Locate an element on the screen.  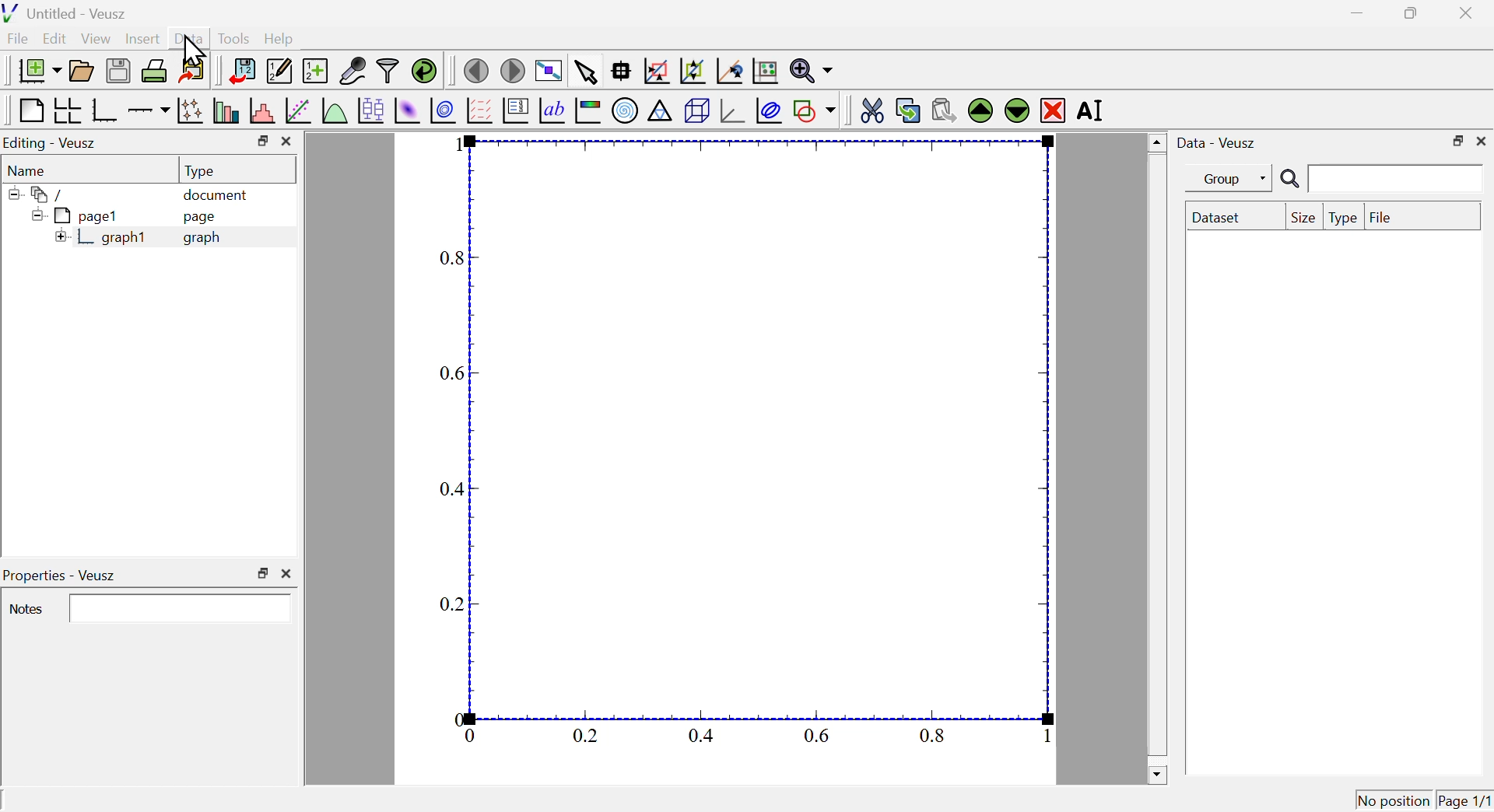
plot box plots is located at coordinates (370, 109).